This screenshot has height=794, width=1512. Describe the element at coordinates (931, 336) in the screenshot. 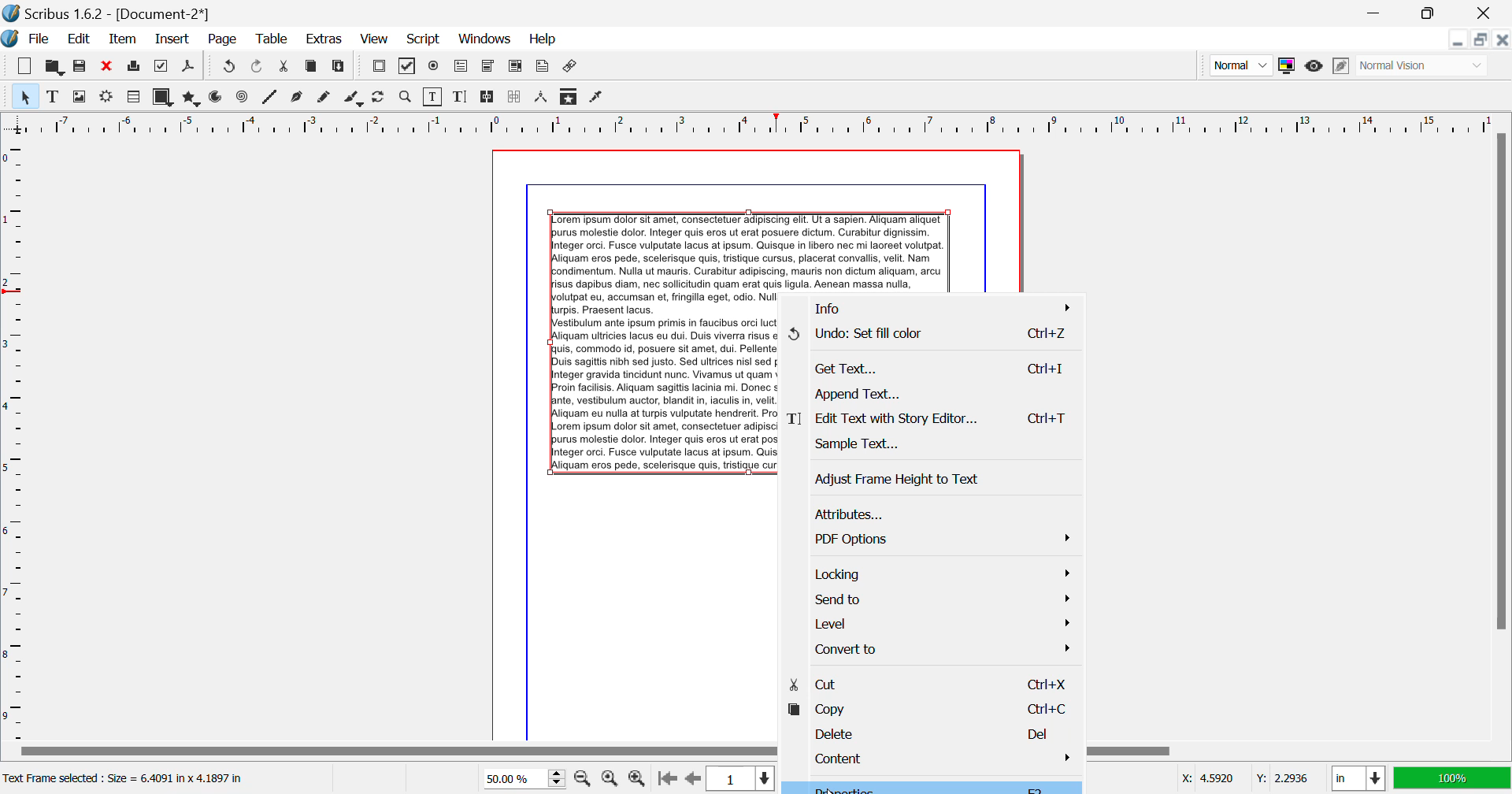

I see `Undo` at that location.